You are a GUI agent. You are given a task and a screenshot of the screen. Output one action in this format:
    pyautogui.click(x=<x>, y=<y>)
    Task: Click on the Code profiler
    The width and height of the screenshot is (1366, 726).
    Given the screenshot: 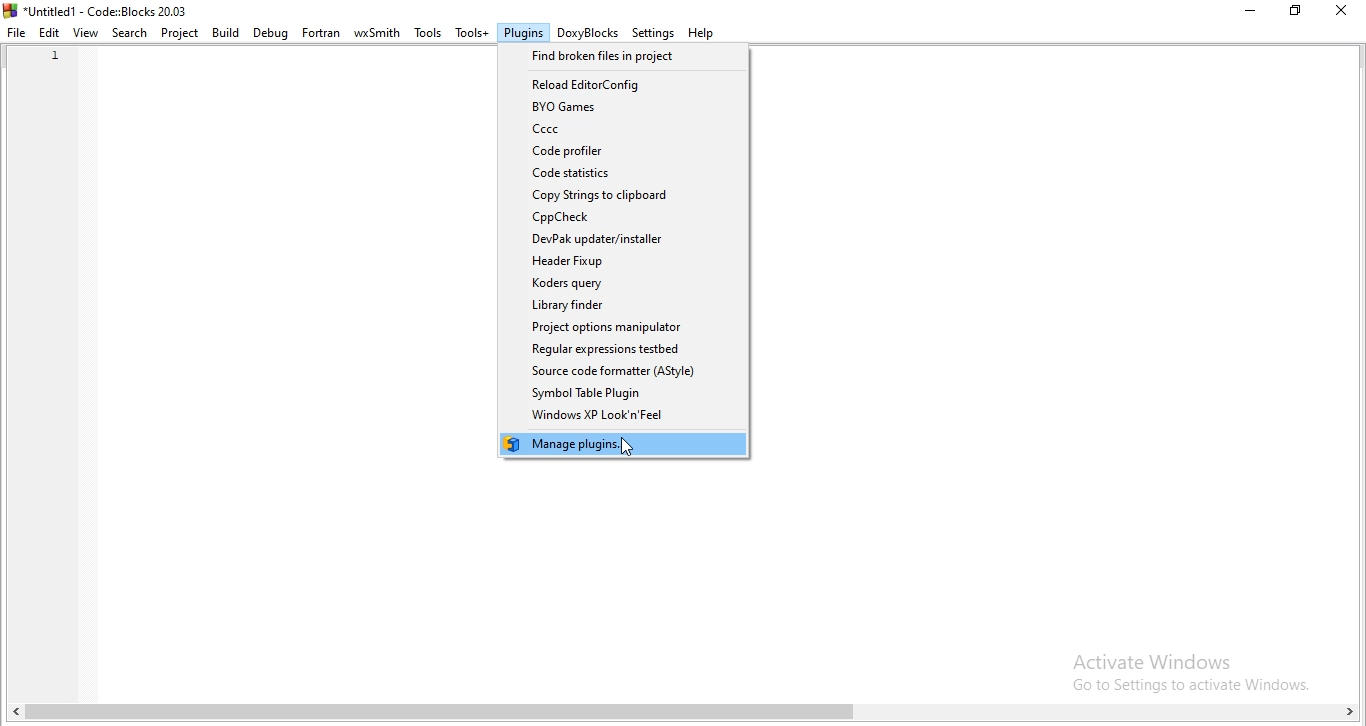 What is the action you would take?
    pyautogui.click(x=623, y=151)
    